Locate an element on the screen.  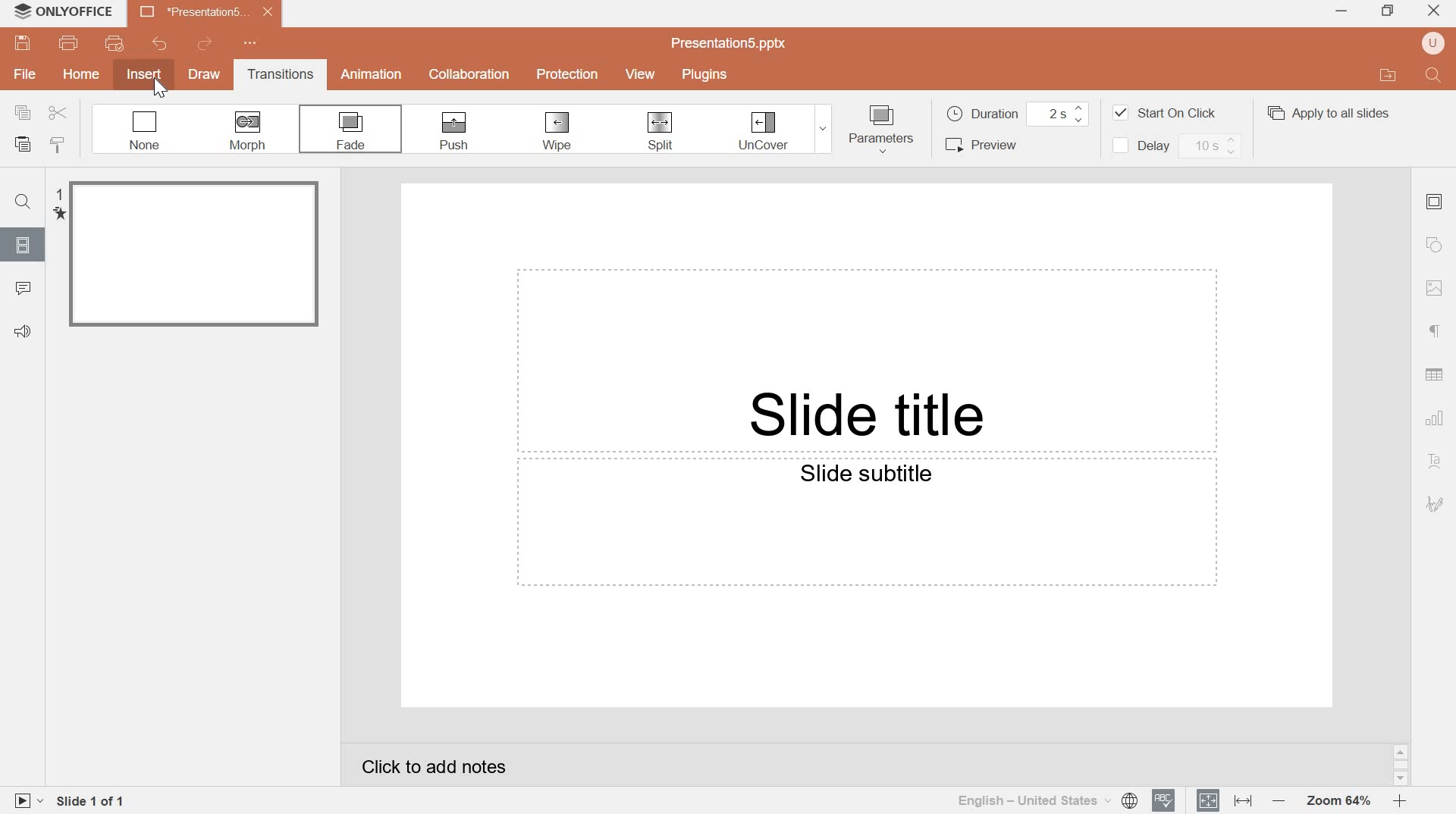
Presentation5.pptx is located at coordinates (730, 42).